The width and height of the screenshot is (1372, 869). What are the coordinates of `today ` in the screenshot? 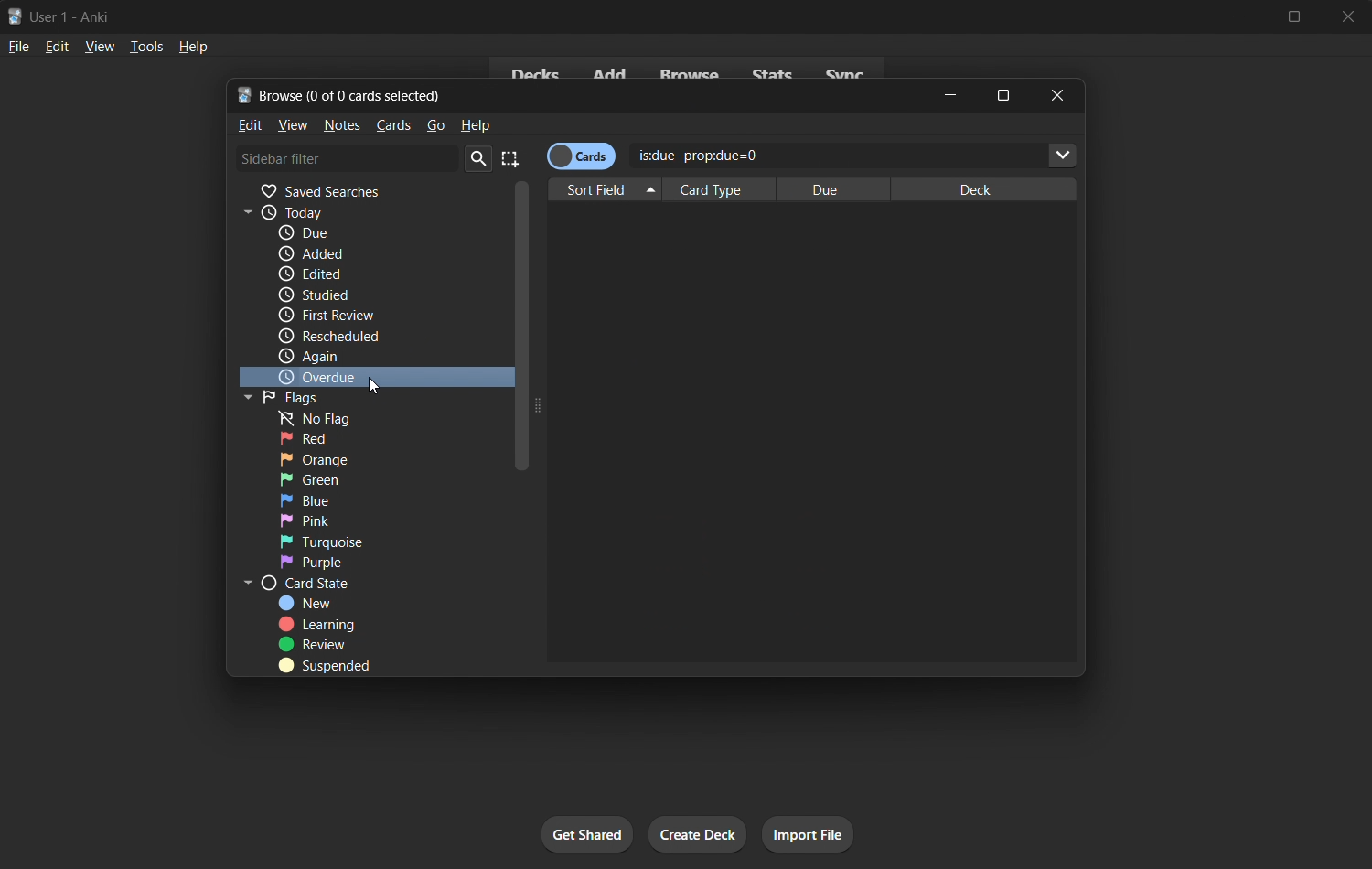 It's located at (367, 211).